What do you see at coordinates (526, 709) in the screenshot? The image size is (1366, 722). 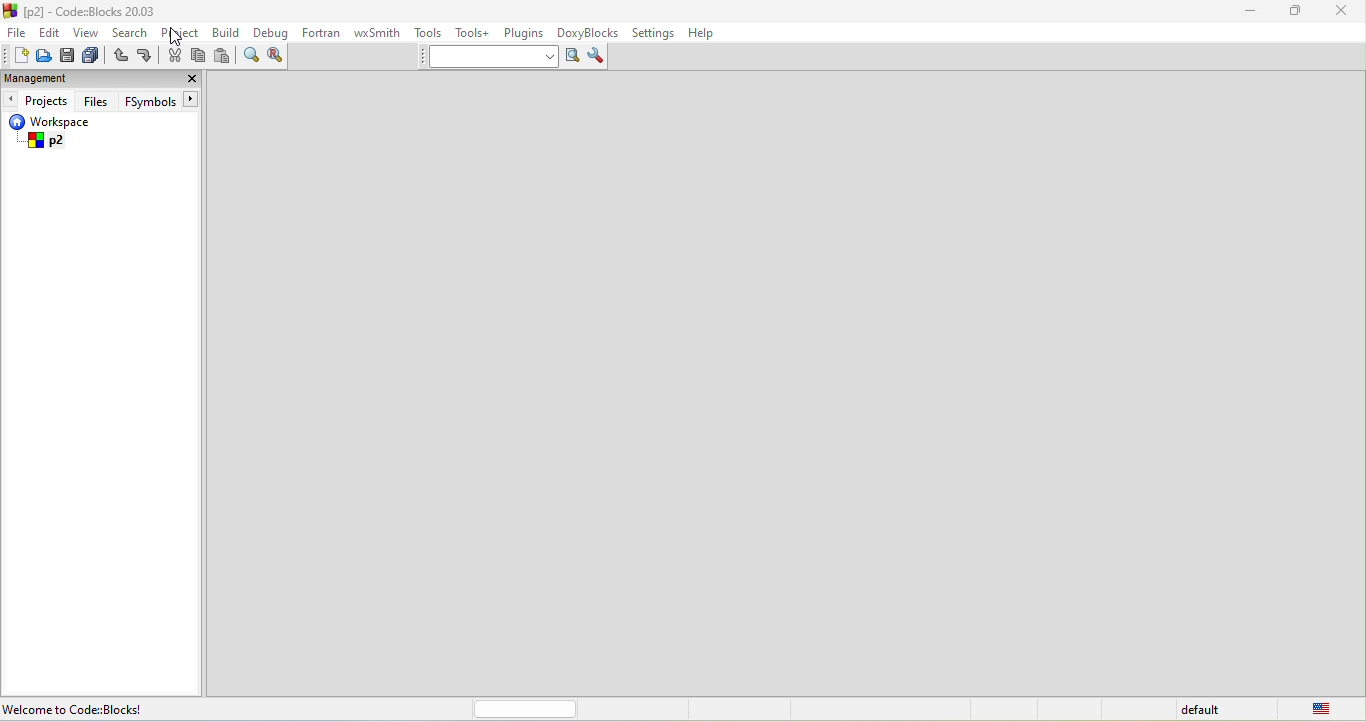 I see `horizontal scroll bar` at bounding box center [526, 709].